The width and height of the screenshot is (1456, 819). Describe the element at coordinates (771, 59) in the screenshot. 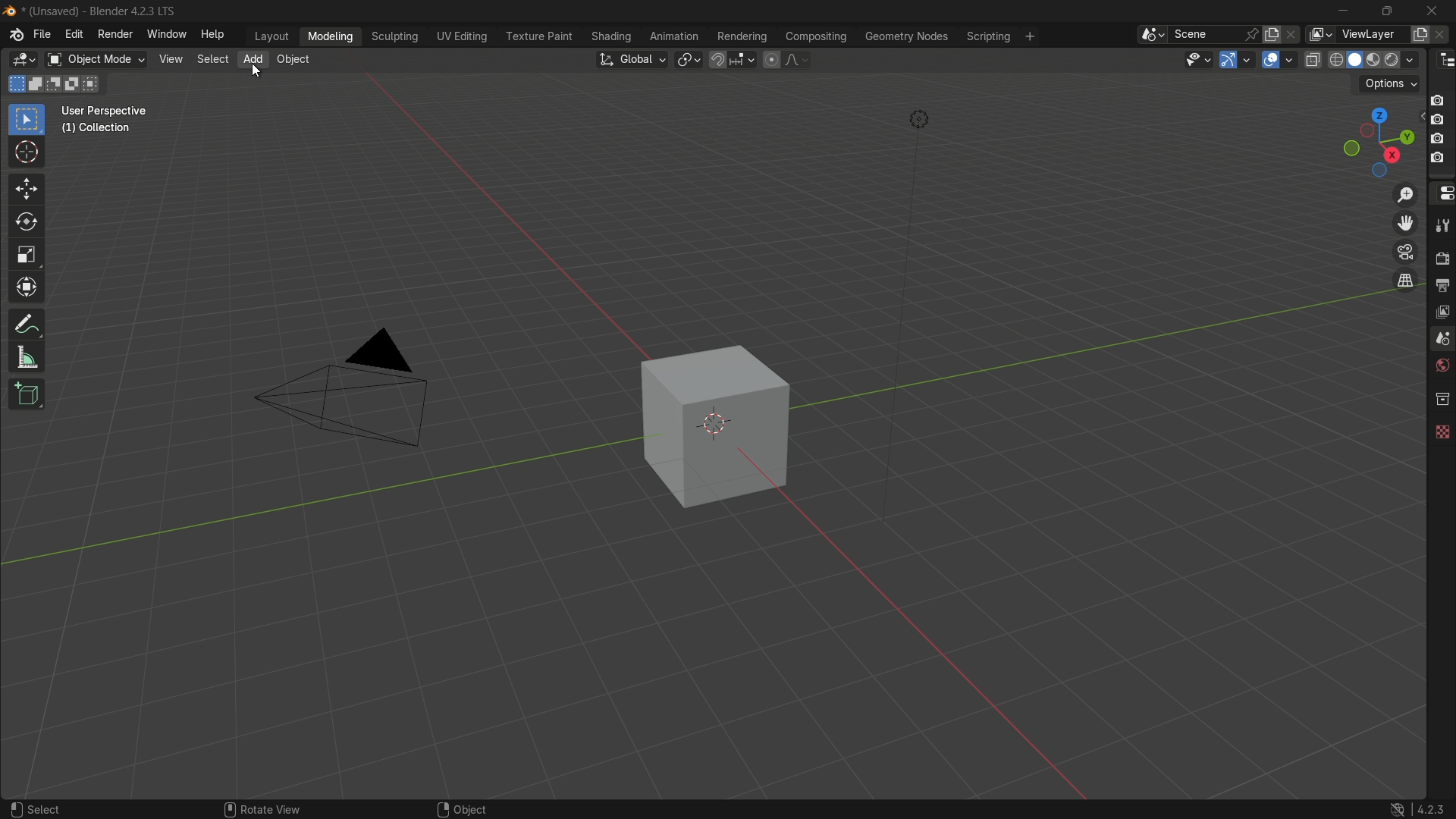

I see `proportional editing object` at that location.